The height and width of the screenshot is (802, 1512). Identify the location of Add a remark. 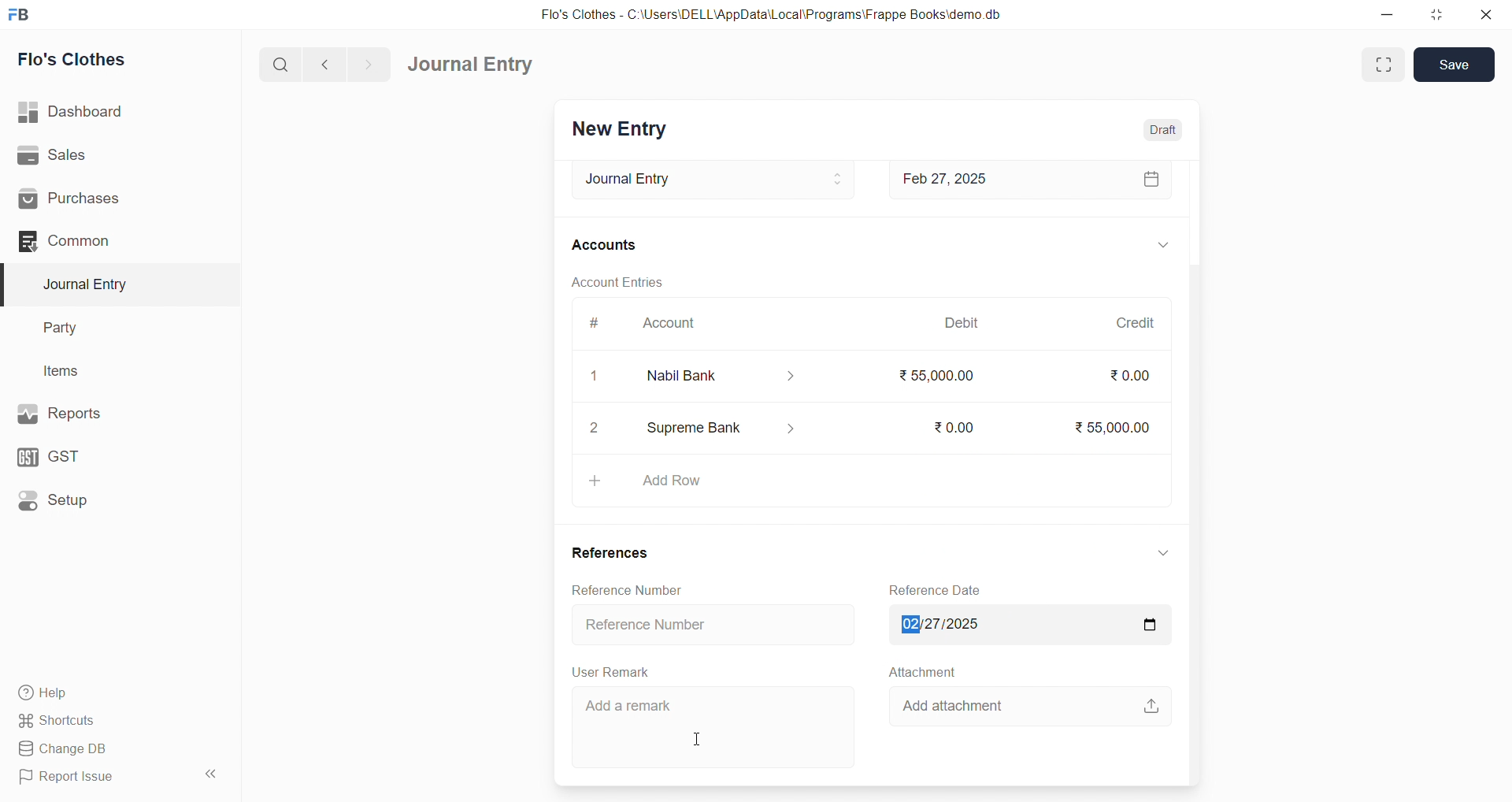
(717, 726).